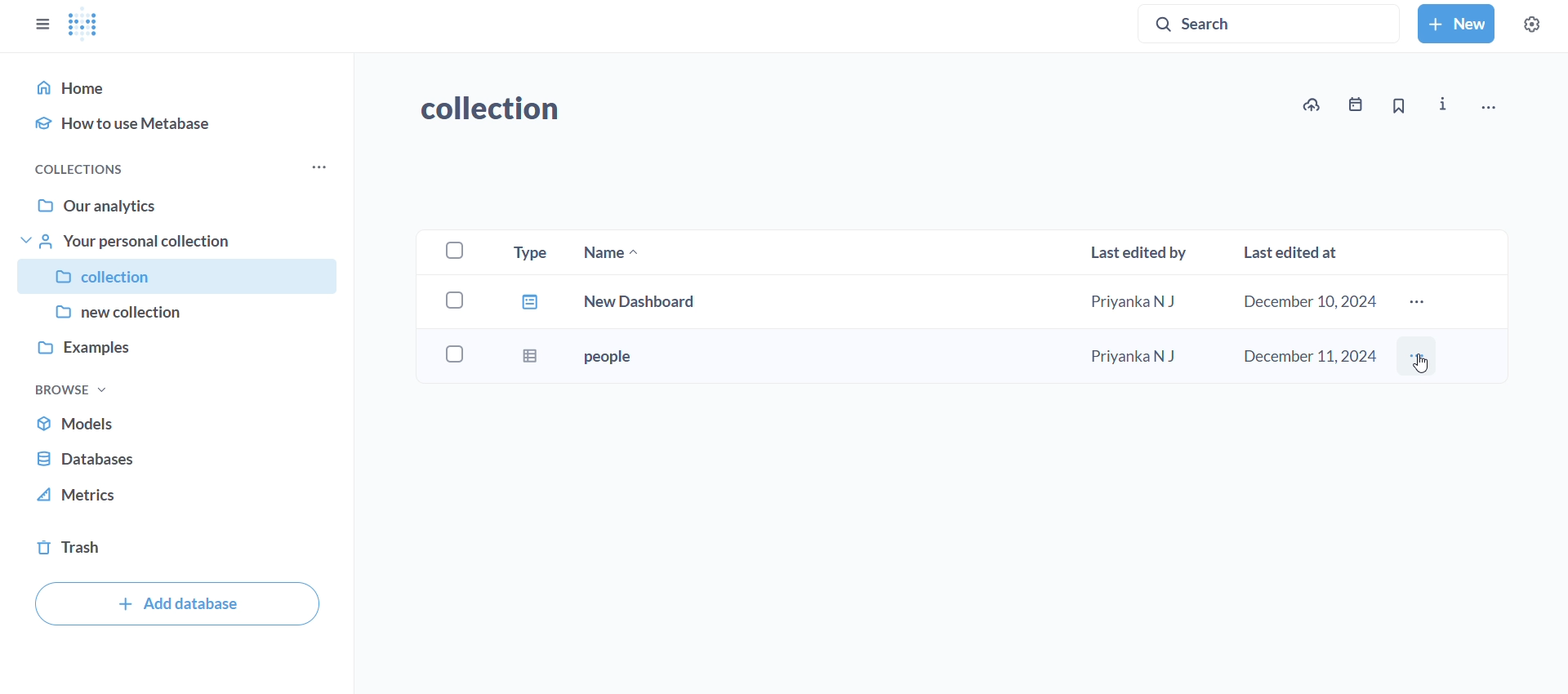  I want to click on checkboxes, so click(452, 249).